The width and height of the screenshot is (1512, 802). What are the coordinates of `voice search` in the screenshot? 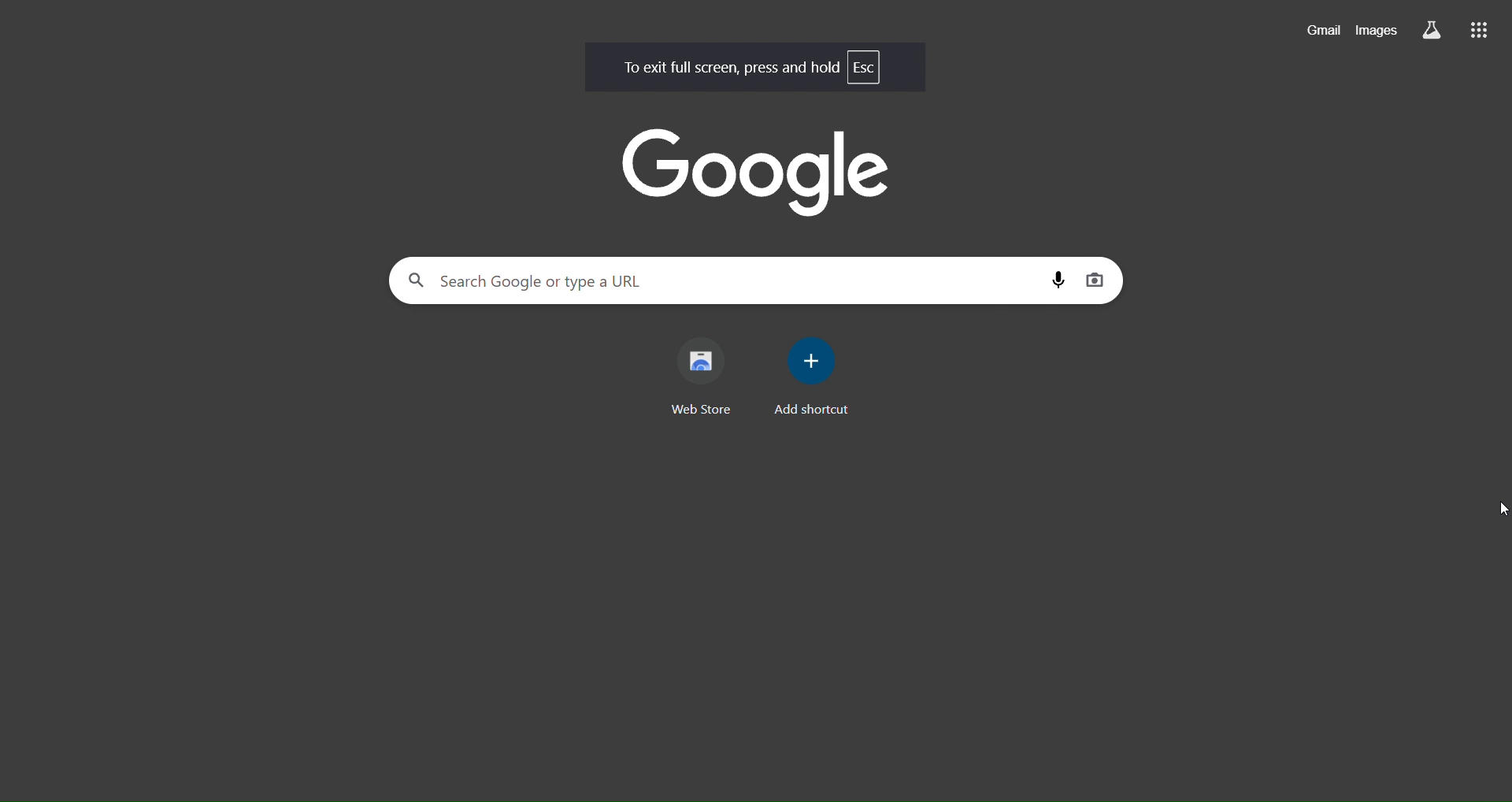 It's located at (1059, 277).